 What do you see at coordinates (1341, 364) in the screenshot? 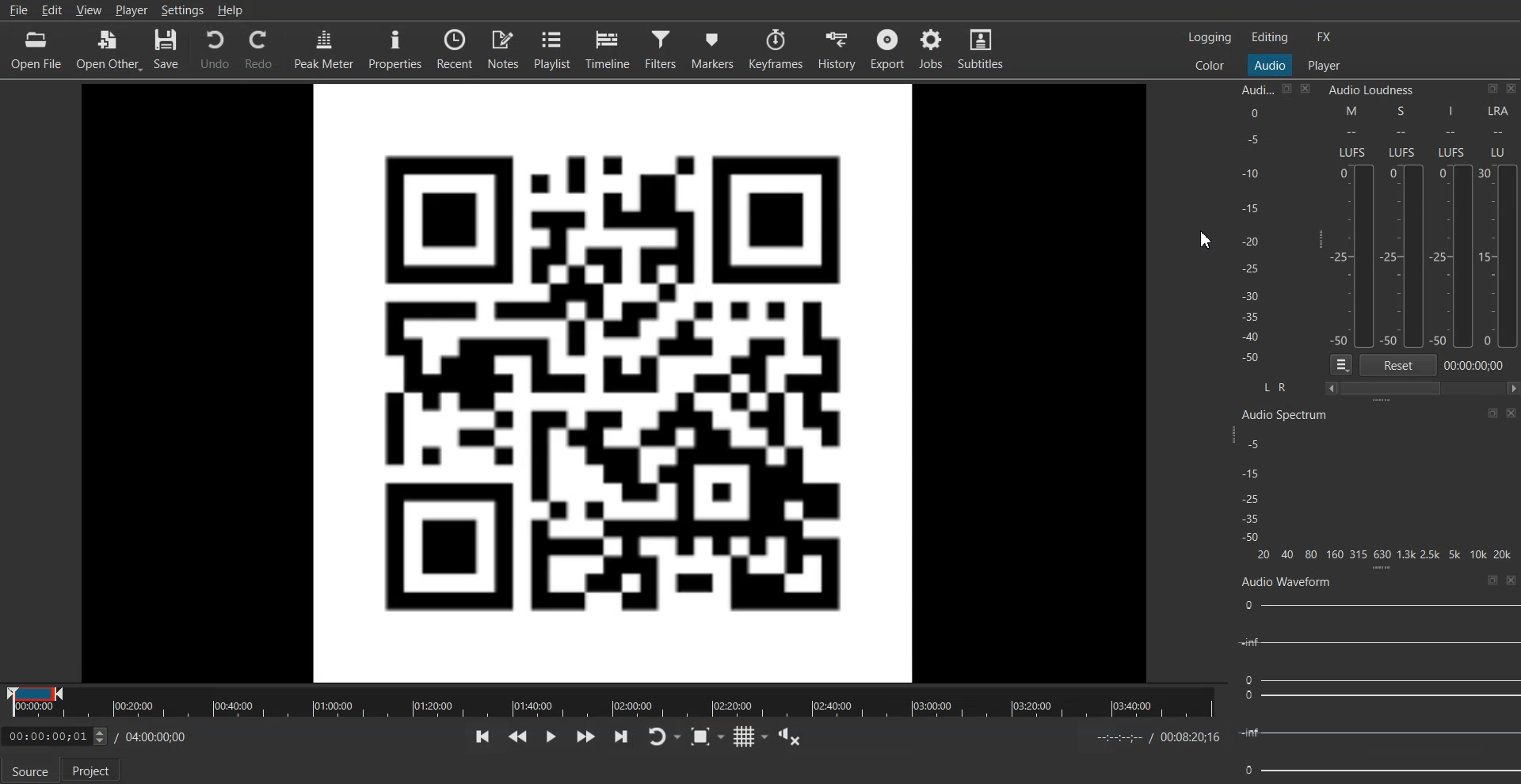
I see `Configure Graph` at bounding box center [1341, 364].